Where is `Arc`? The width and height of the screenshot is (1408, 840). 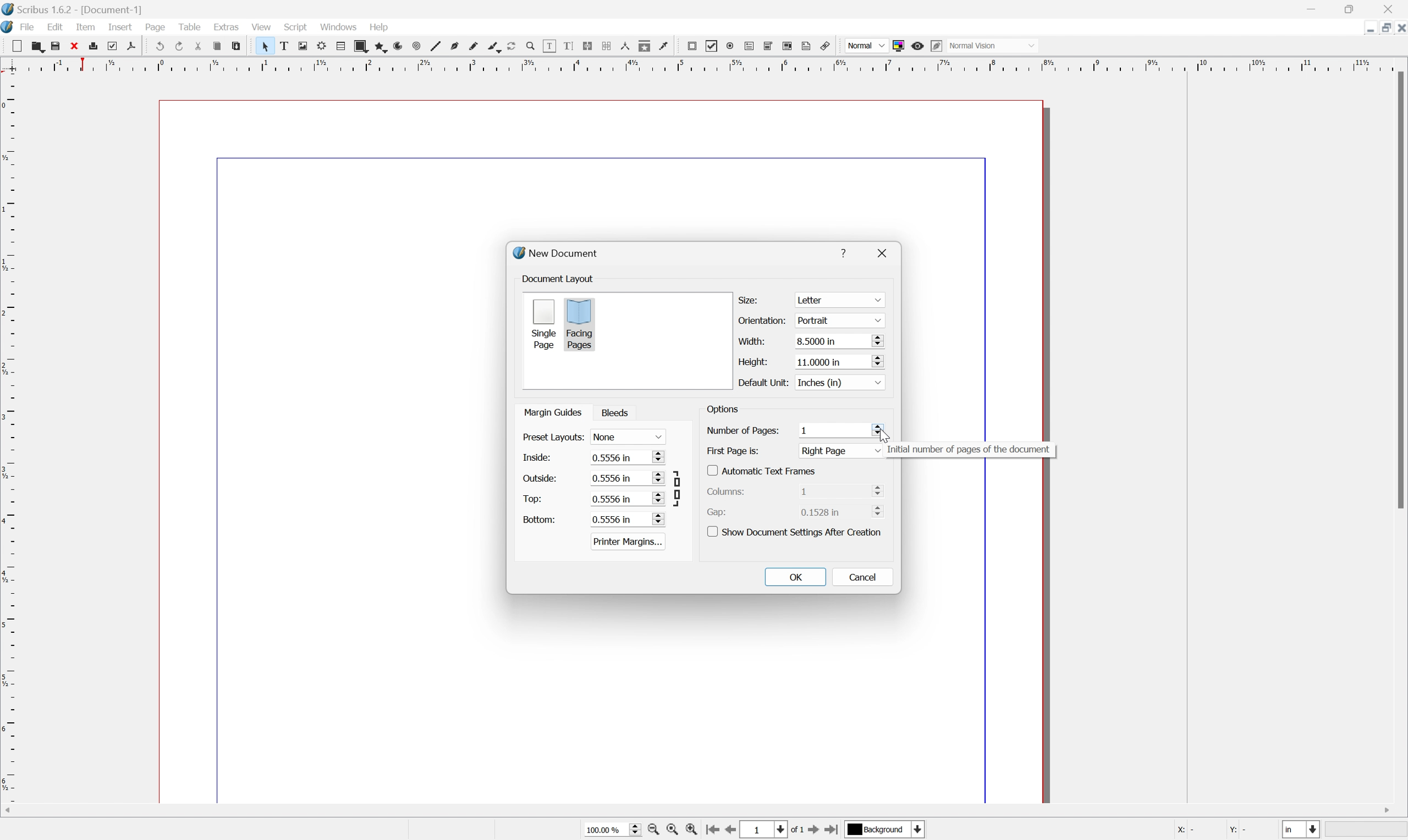
Arc is located at coordinates (396, 46).